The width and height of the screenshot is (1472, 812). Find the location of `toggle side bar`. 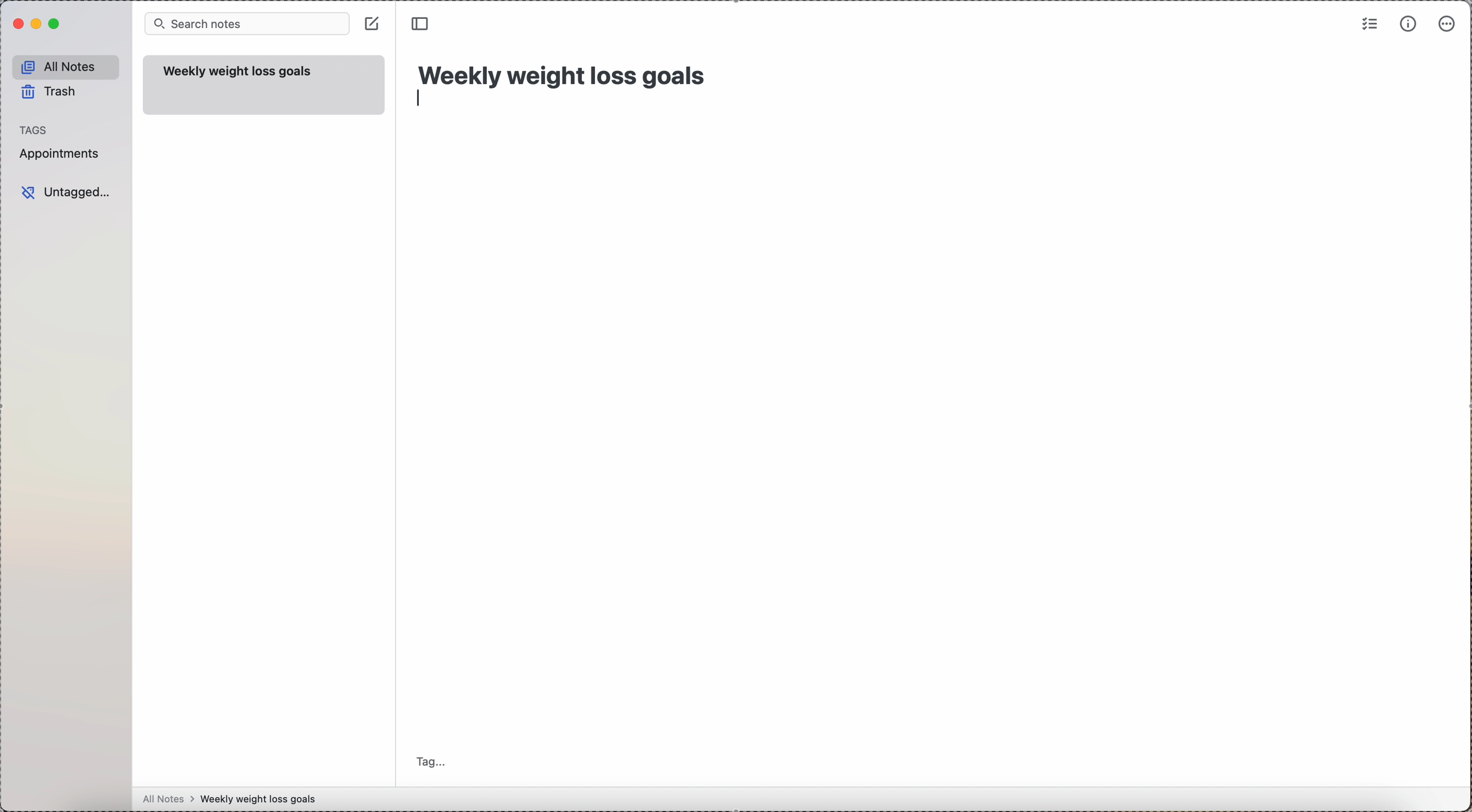

toggle side bar is located at coordinates (423, 24).